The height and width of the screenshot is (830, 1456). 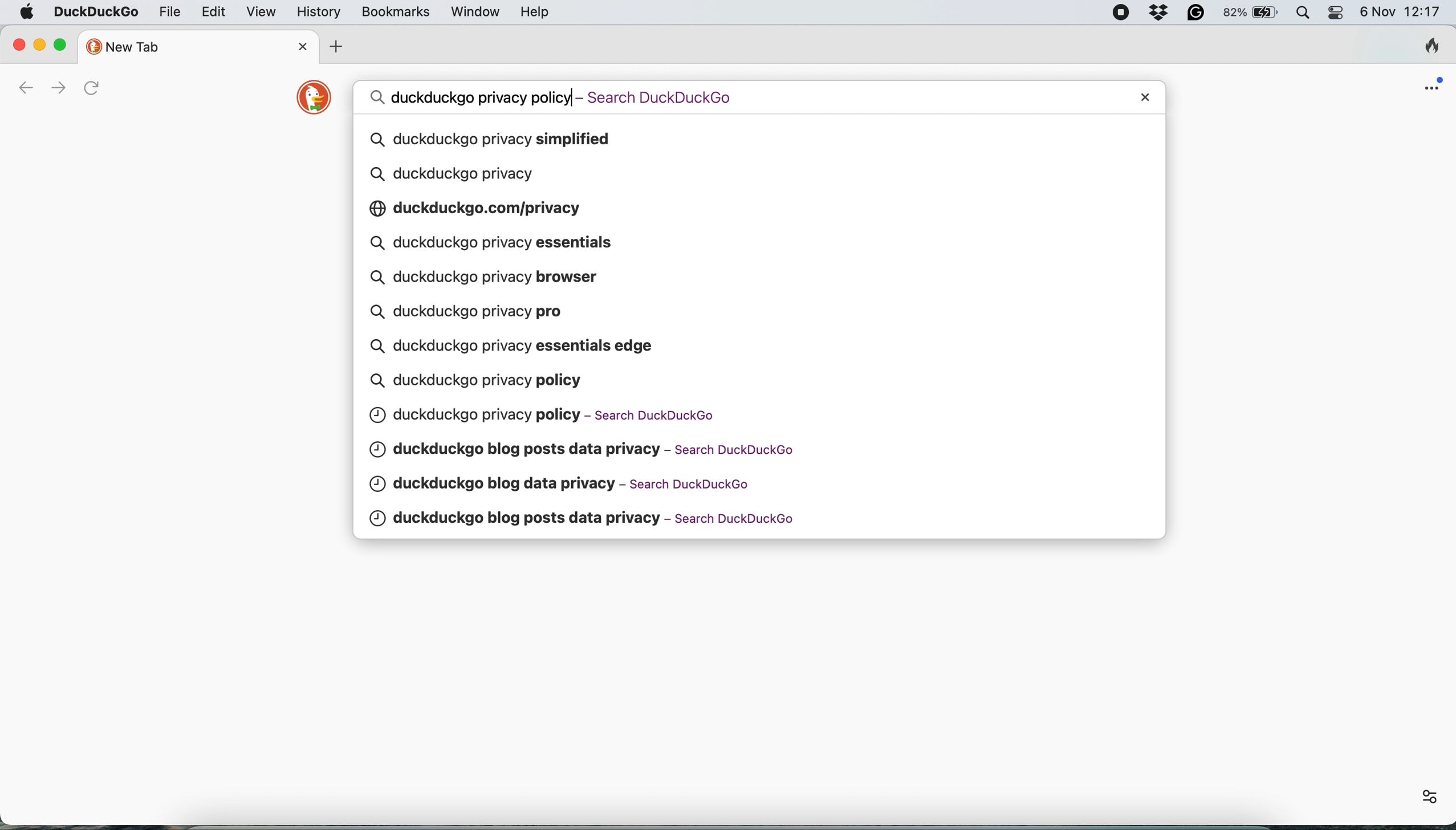 I want to click on search queries pop up, so click(x=761, y=328).